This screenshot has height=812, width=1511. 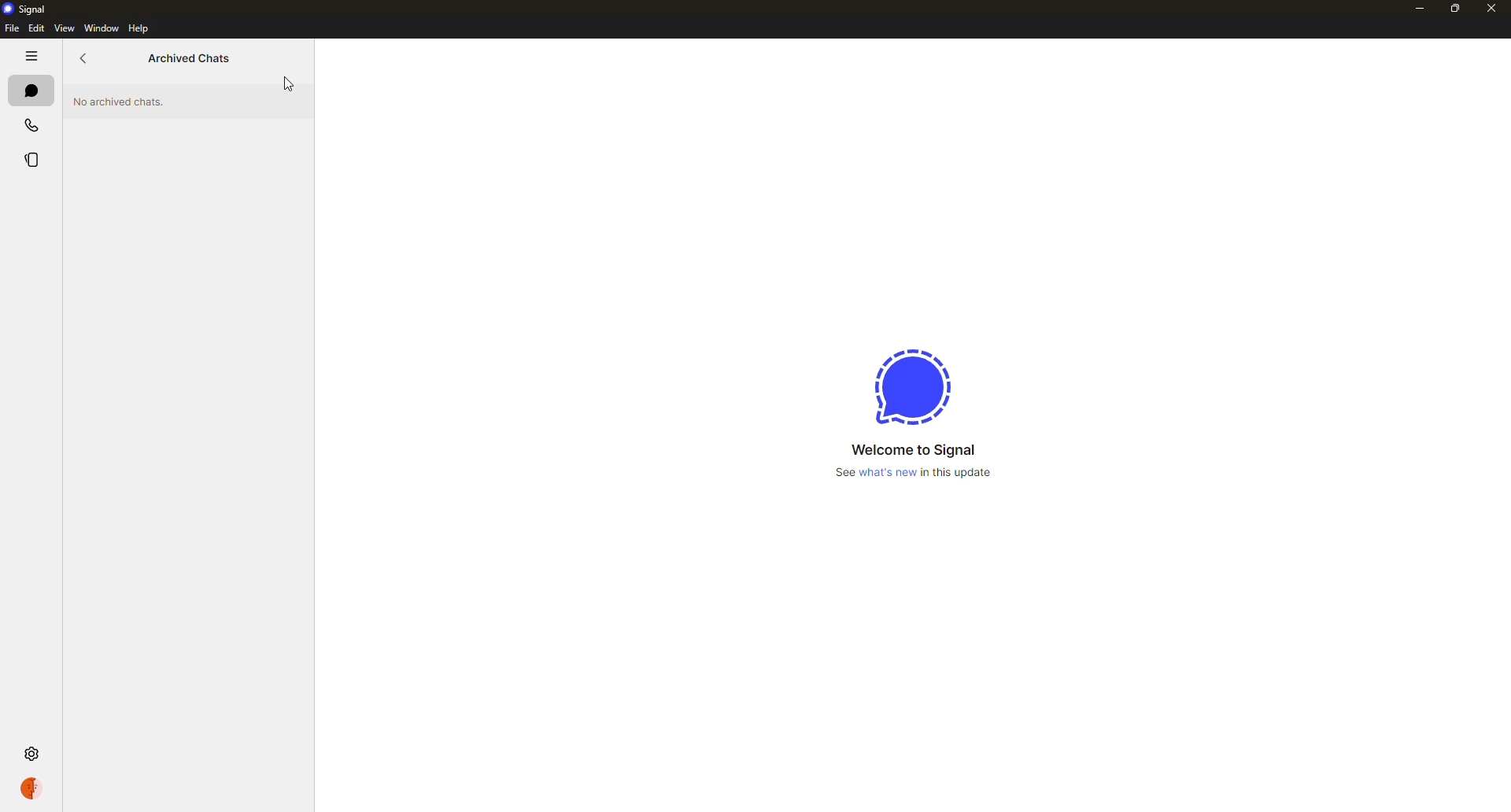 What do you see at coordinates (35, 754) in the screenshot?
I see `settings` at bounding box center [35, 754].